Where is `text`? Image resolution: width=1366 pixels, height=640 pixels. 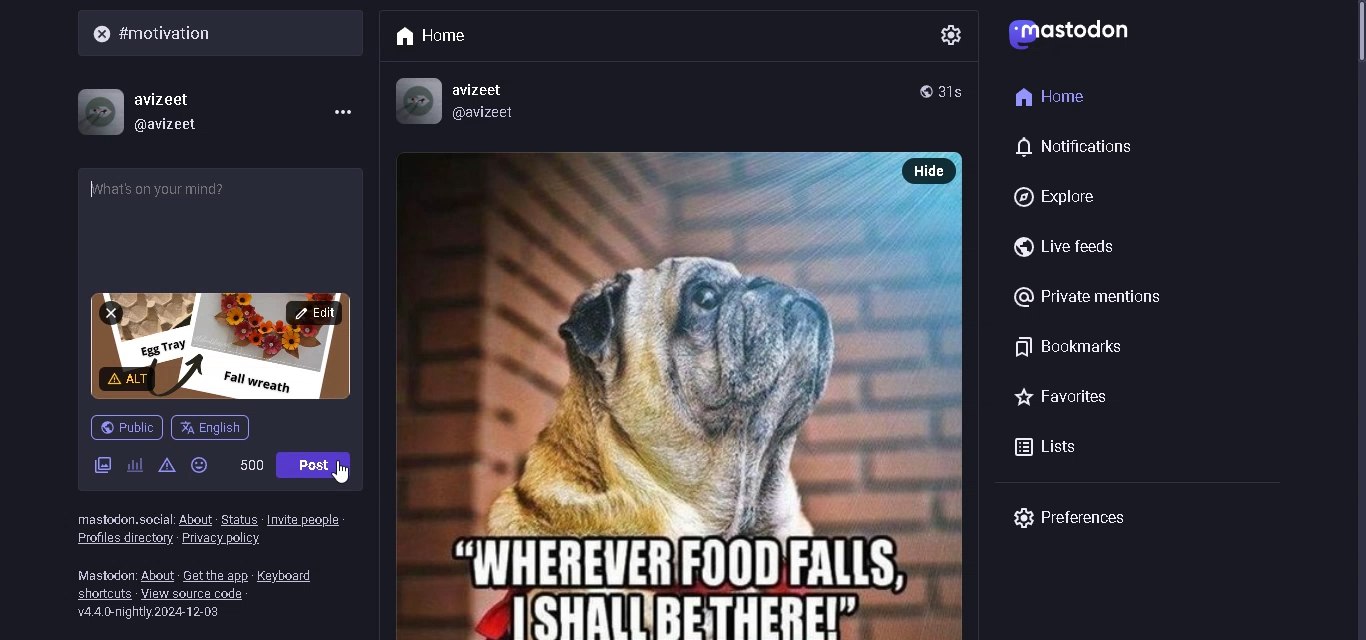
text is located at coordinates (123, 519).